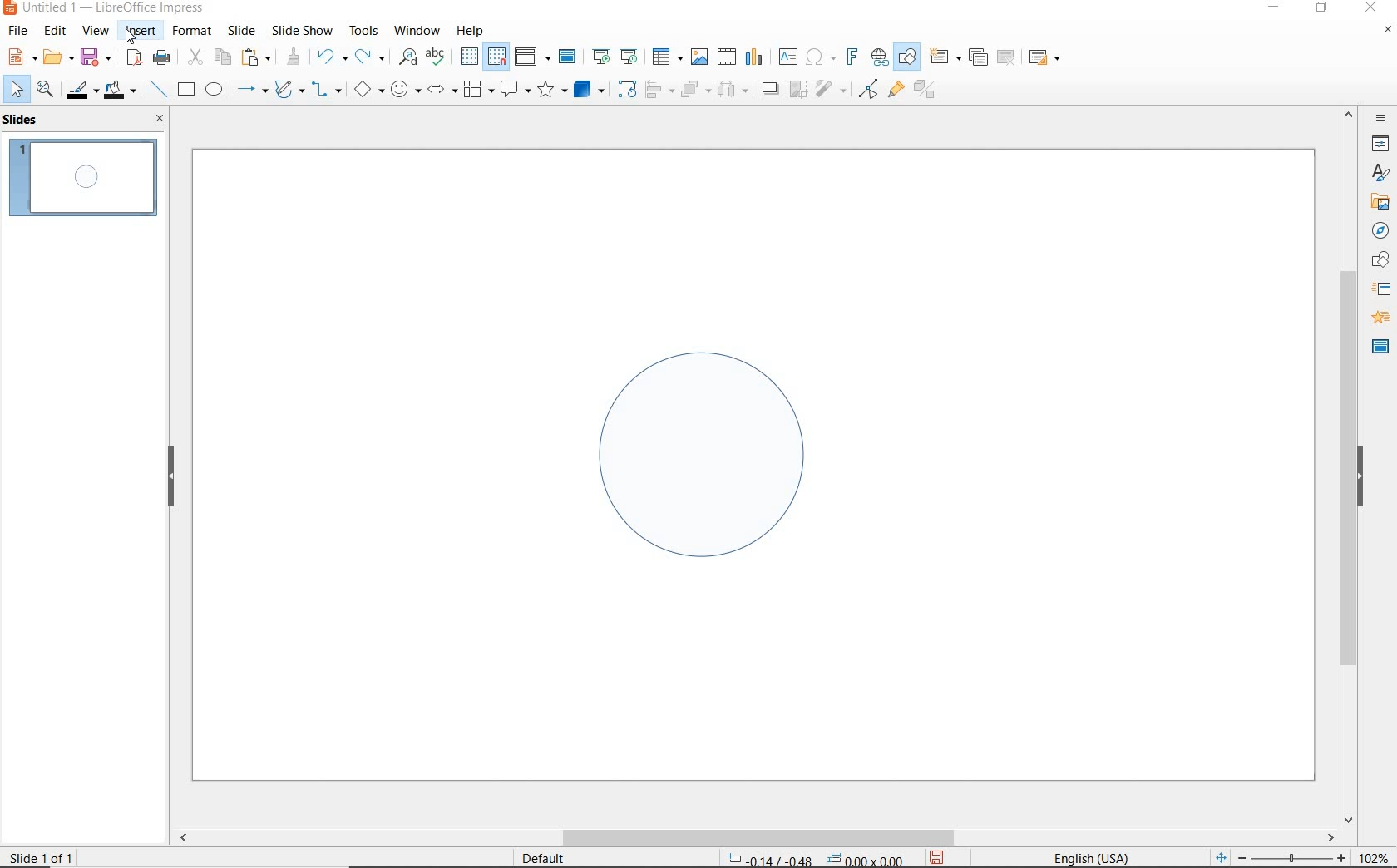  Describe the element at coordinates (257, 57) in the screenshot. I see `paste` at that location.